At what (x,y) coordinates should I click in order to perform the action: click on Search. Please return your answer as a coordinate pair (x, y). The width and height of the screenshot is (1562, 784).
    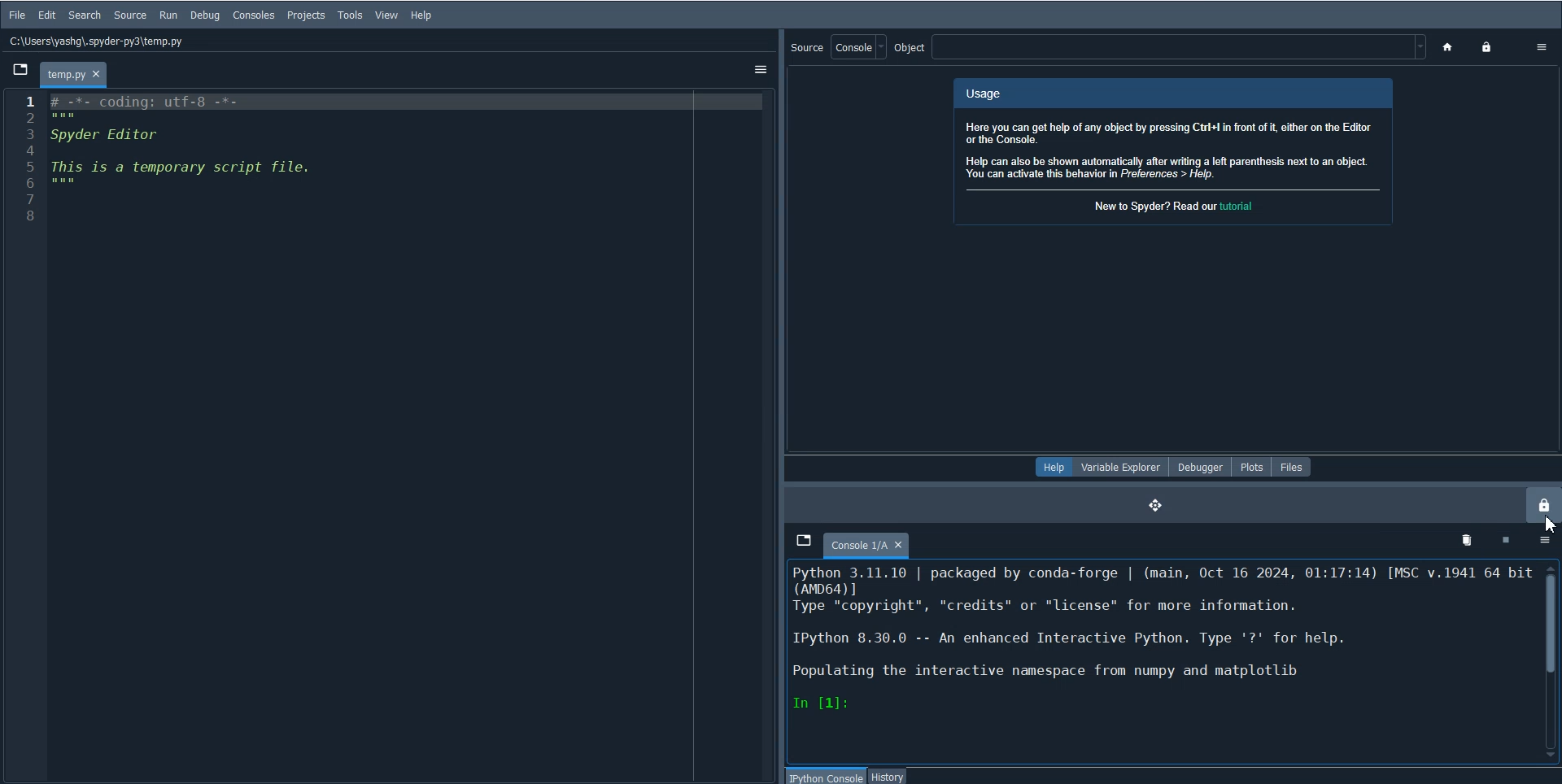
    Looking at the image, I should click on (85, 15).